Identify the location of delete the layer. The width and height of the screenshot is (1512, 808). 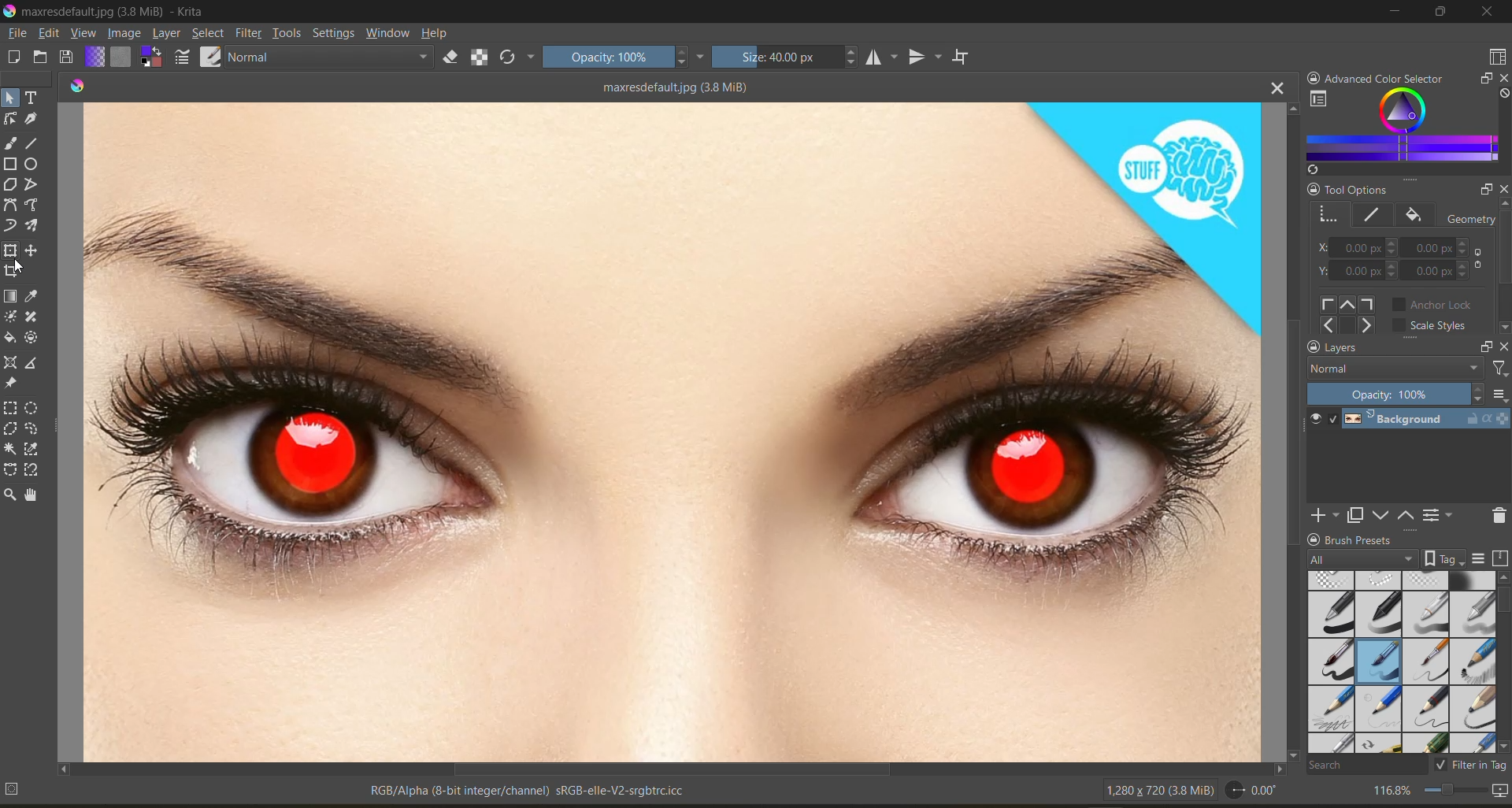
(1496, 516).